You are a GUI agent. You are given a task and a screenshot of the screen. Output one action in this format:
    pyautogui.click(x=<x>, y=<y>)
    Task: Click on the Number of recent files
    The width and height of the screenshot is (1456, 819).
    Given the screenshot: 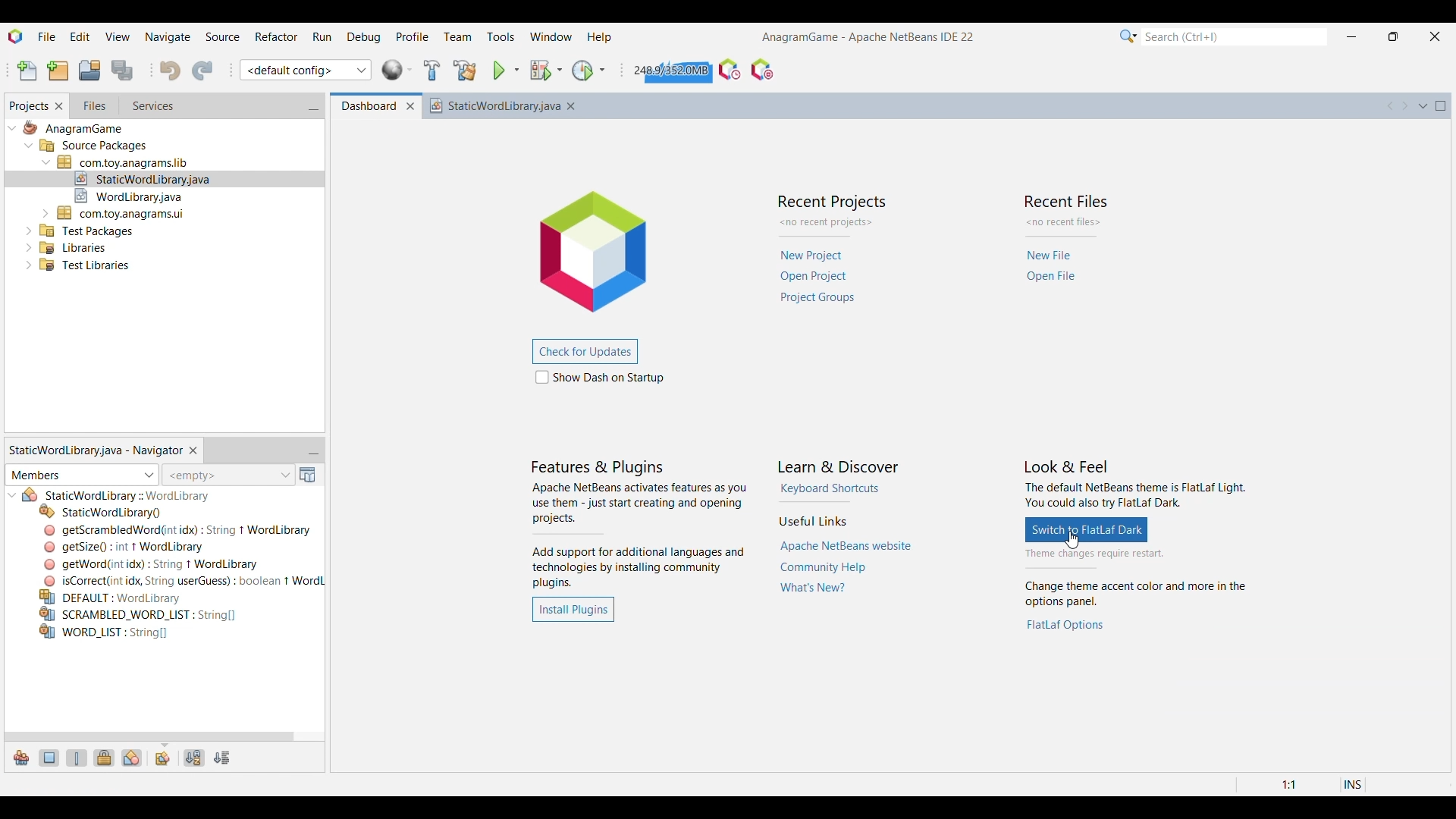 What is the action you would take?
    pyautogui.click(x=1065, y=222)
    